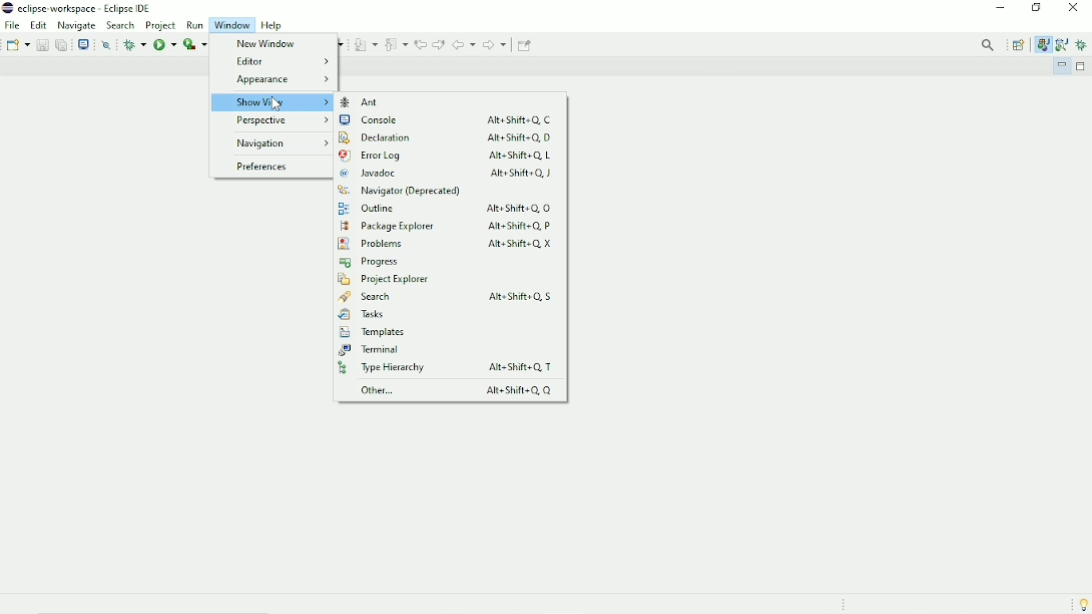 The width and height of the screenshot is (1092, 614). I want to click on File, so click(12, 25).